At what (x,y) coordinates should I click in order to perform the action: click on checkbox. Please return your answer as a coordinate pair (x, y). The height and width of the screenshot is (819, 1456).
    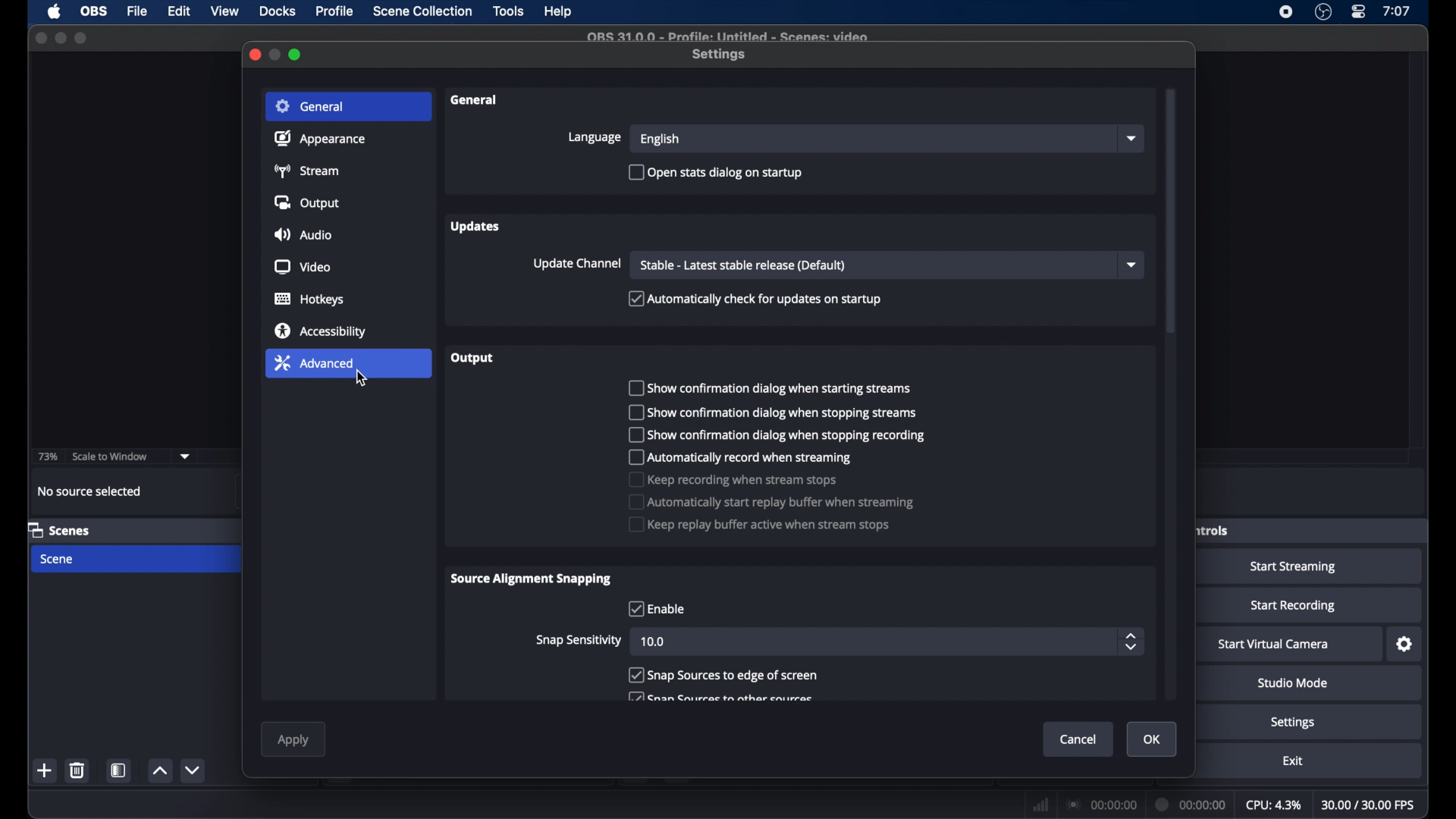
    Looking at the image, I should click on (656, 607).